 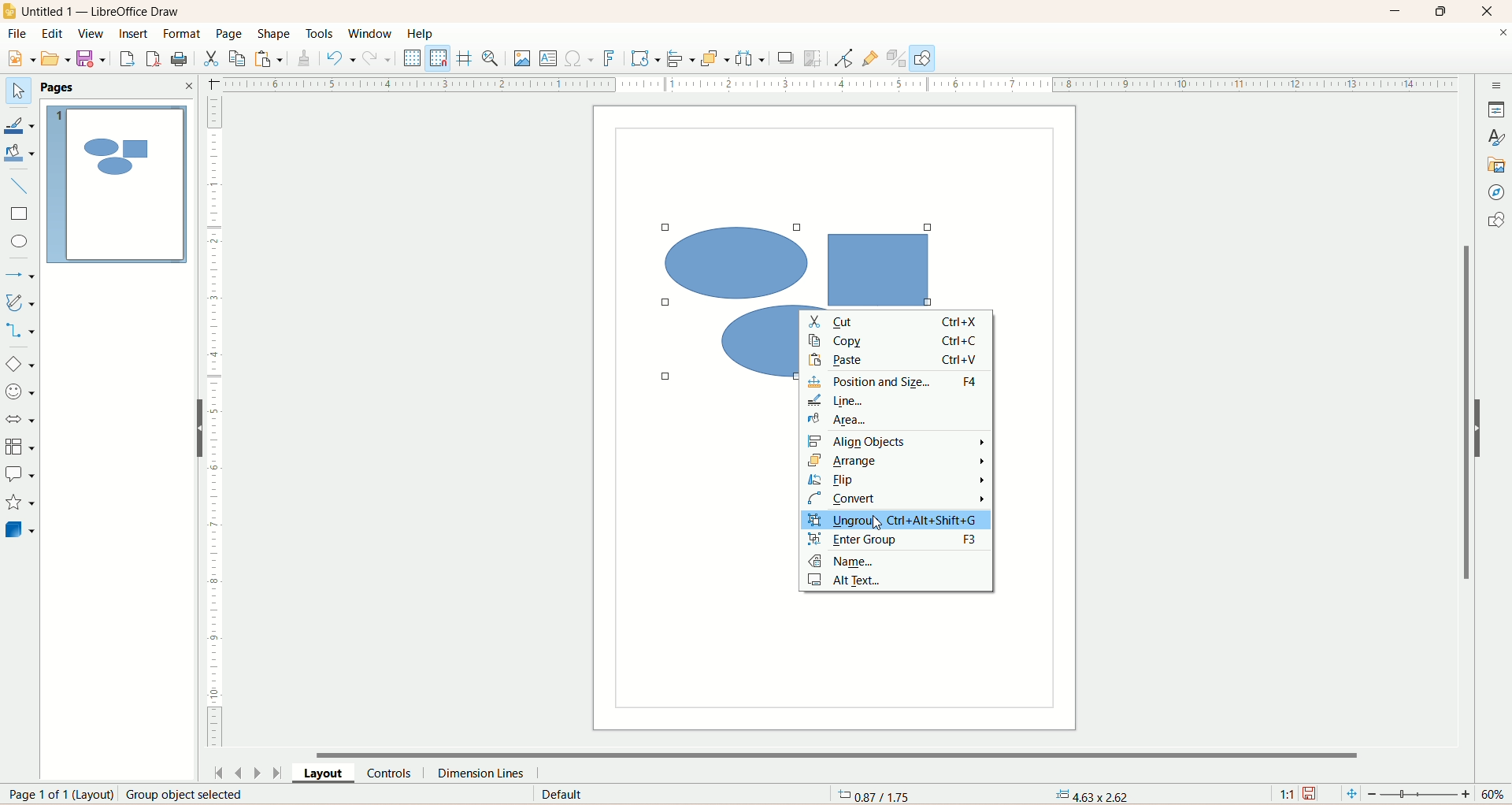 What do you see at coordinates (20, 302) in the screenshot?
I see `curves and polygon` at bounding box center [20, 302].